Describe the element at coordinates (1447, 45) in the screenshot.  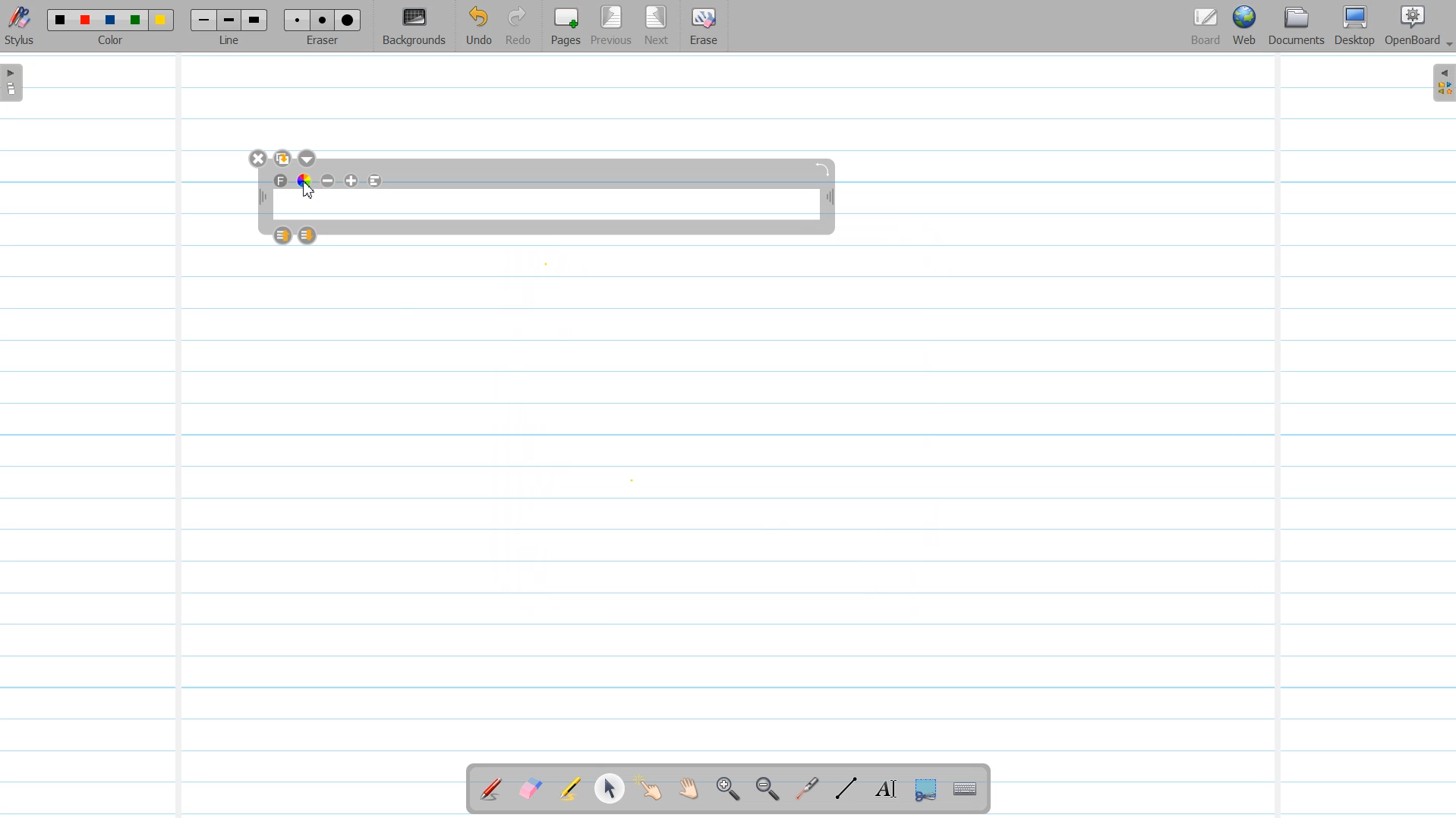
I see `Drop Down Box` at that location.